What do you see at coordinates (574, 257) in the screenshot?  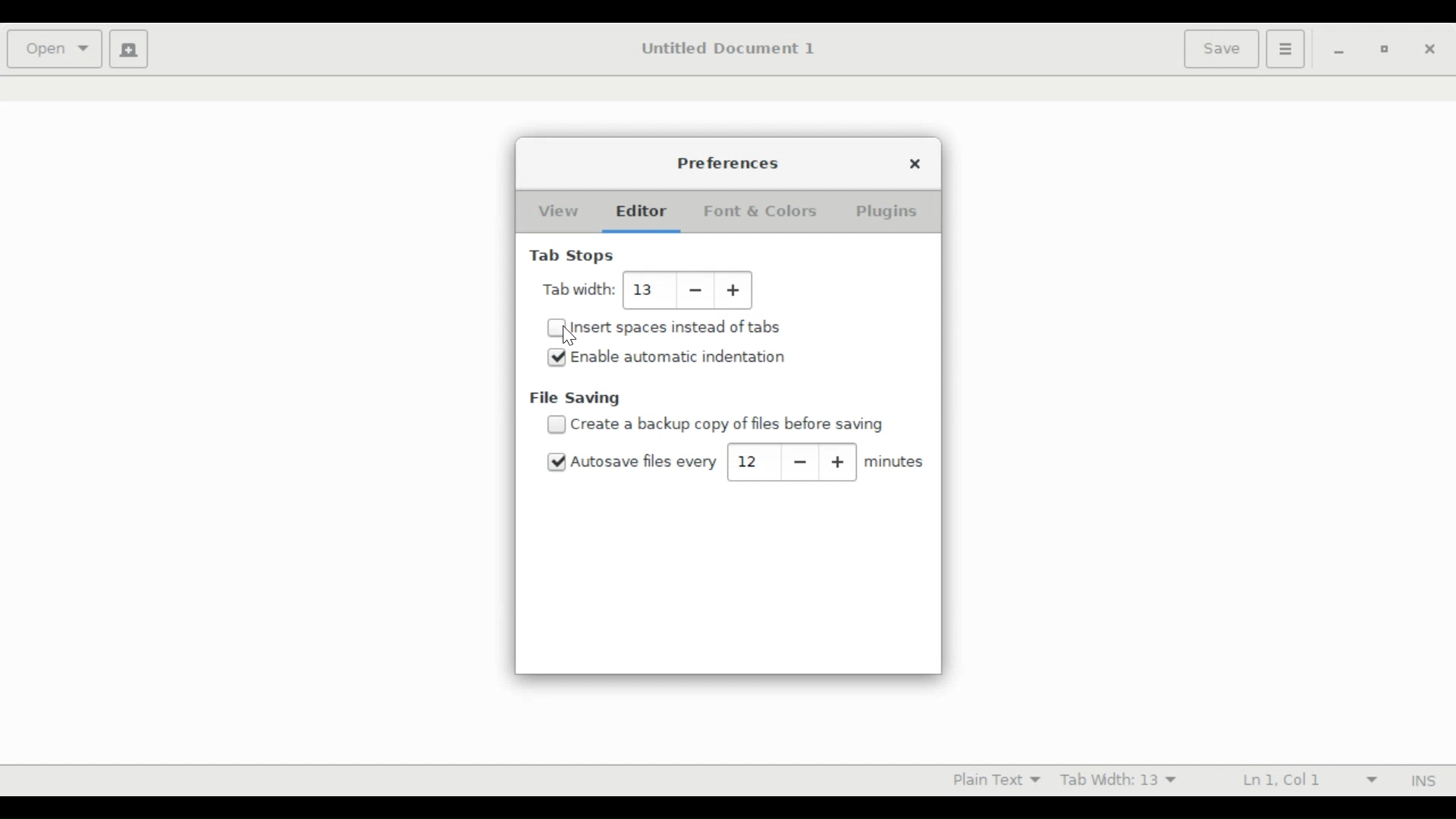 I see `Tab Stops` at bounding box center [574, 257].